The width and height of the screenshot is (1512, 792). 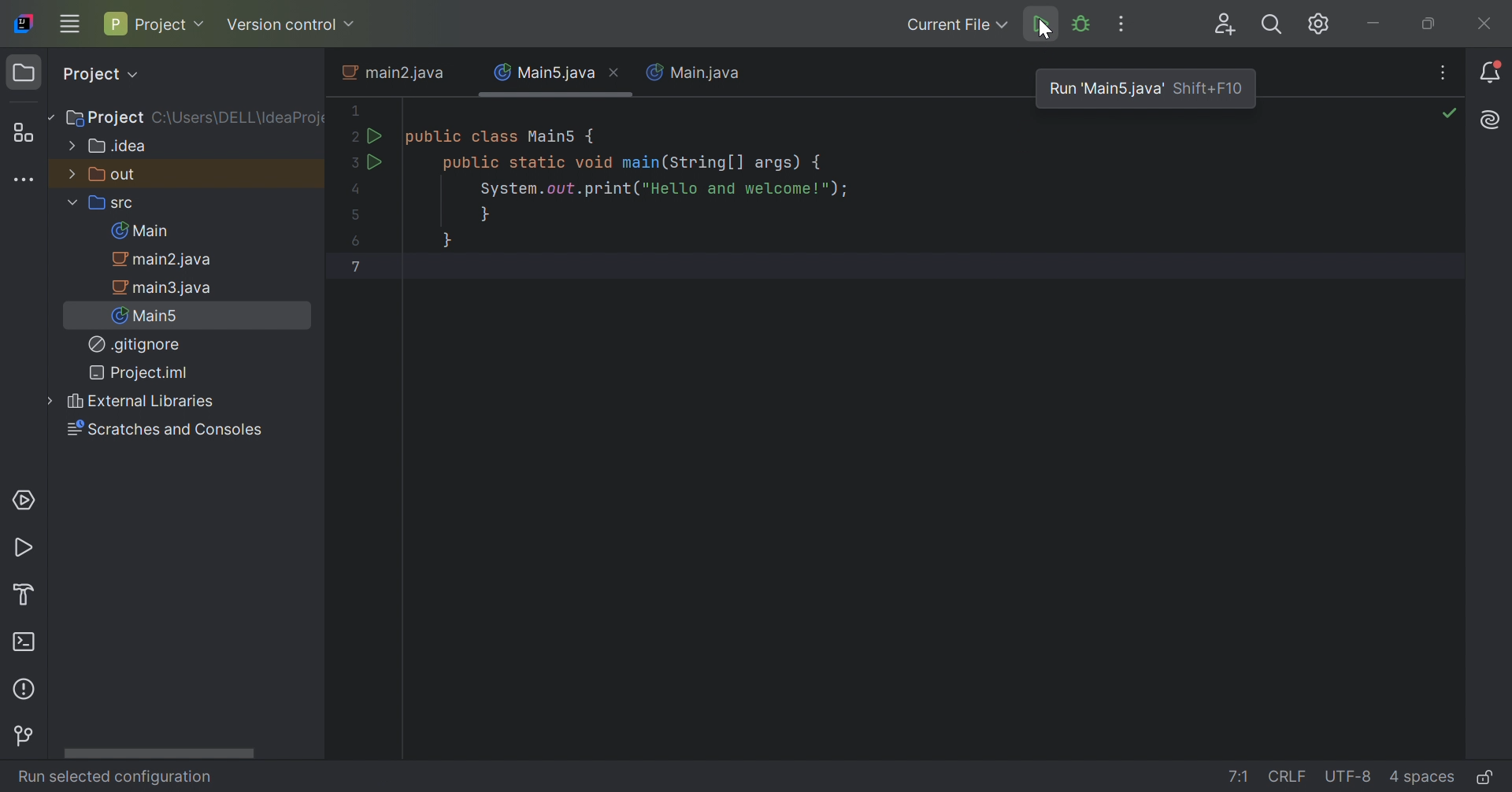 I want to click on Scroll bar, so click(x=158, y=753).